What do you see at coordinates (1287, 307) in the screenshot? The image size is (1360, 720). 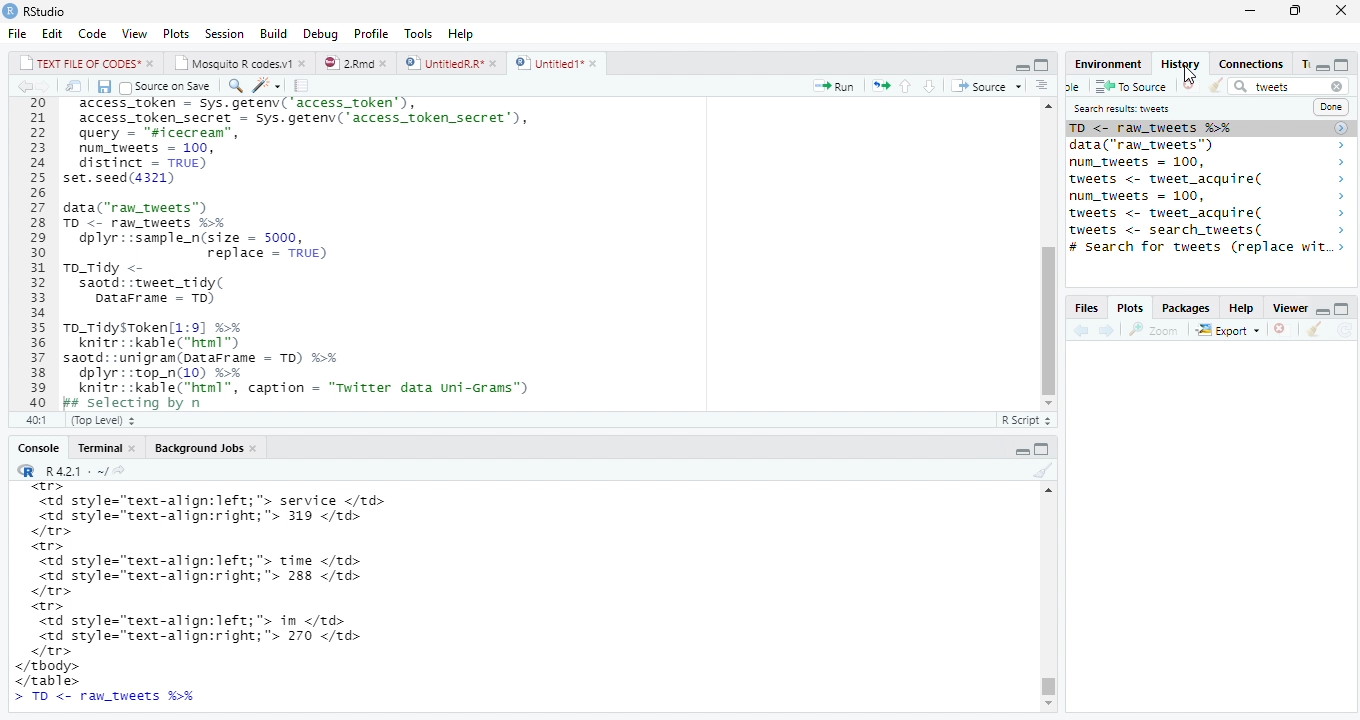 I see `Viewer` at bounding box center [1287, 307].